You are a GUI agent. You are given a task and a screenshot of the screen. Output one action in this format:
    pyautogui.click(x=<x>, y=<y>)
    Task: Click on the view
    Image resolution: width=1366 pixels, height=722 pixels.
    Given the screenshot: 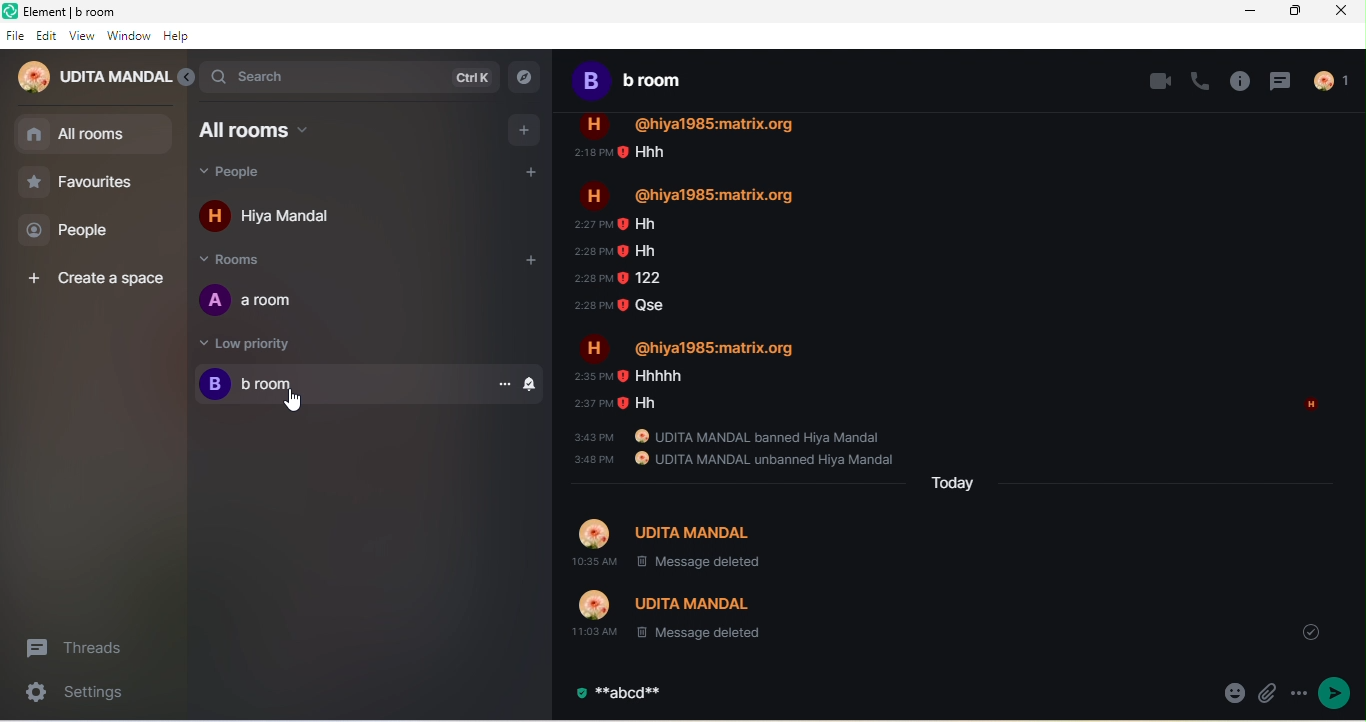 What is the action you would take?
    pyautogui.click(x=82, y=39)
    